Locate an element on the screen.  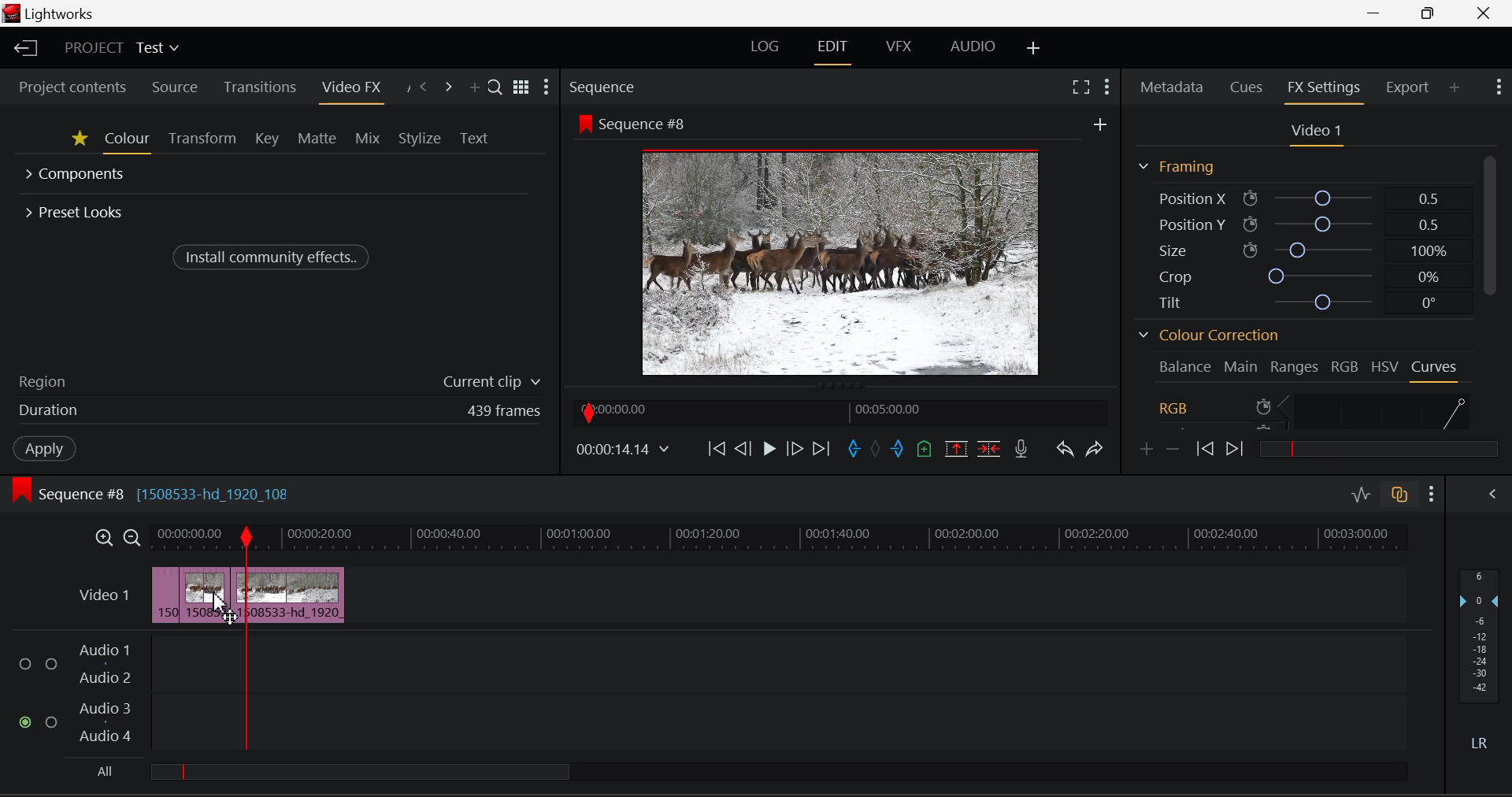
Previous keyframe is located at coordinates (1205, 448).